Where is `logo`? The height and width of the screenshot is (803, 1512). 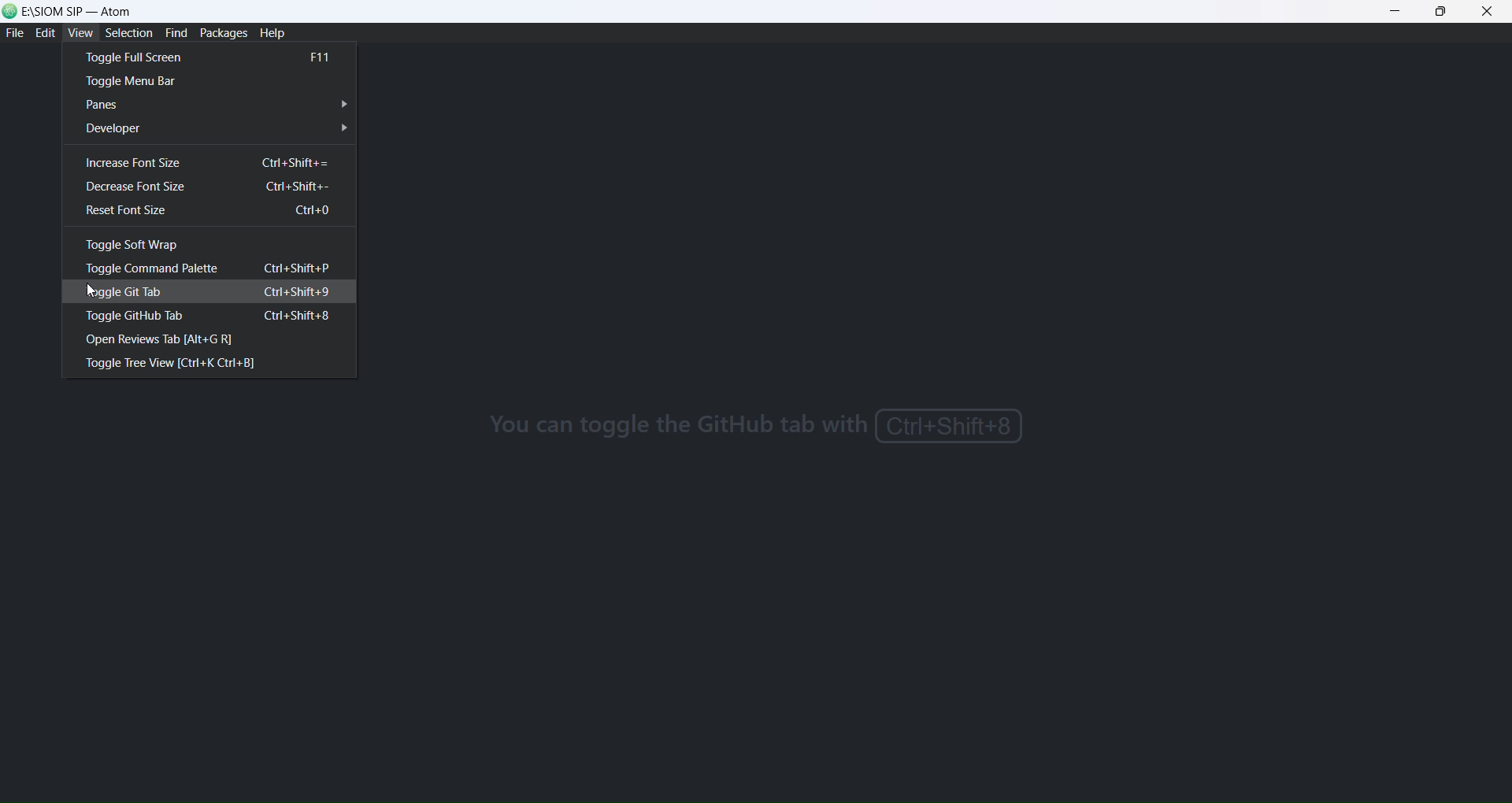 logo is located at coordinates (11, 12).